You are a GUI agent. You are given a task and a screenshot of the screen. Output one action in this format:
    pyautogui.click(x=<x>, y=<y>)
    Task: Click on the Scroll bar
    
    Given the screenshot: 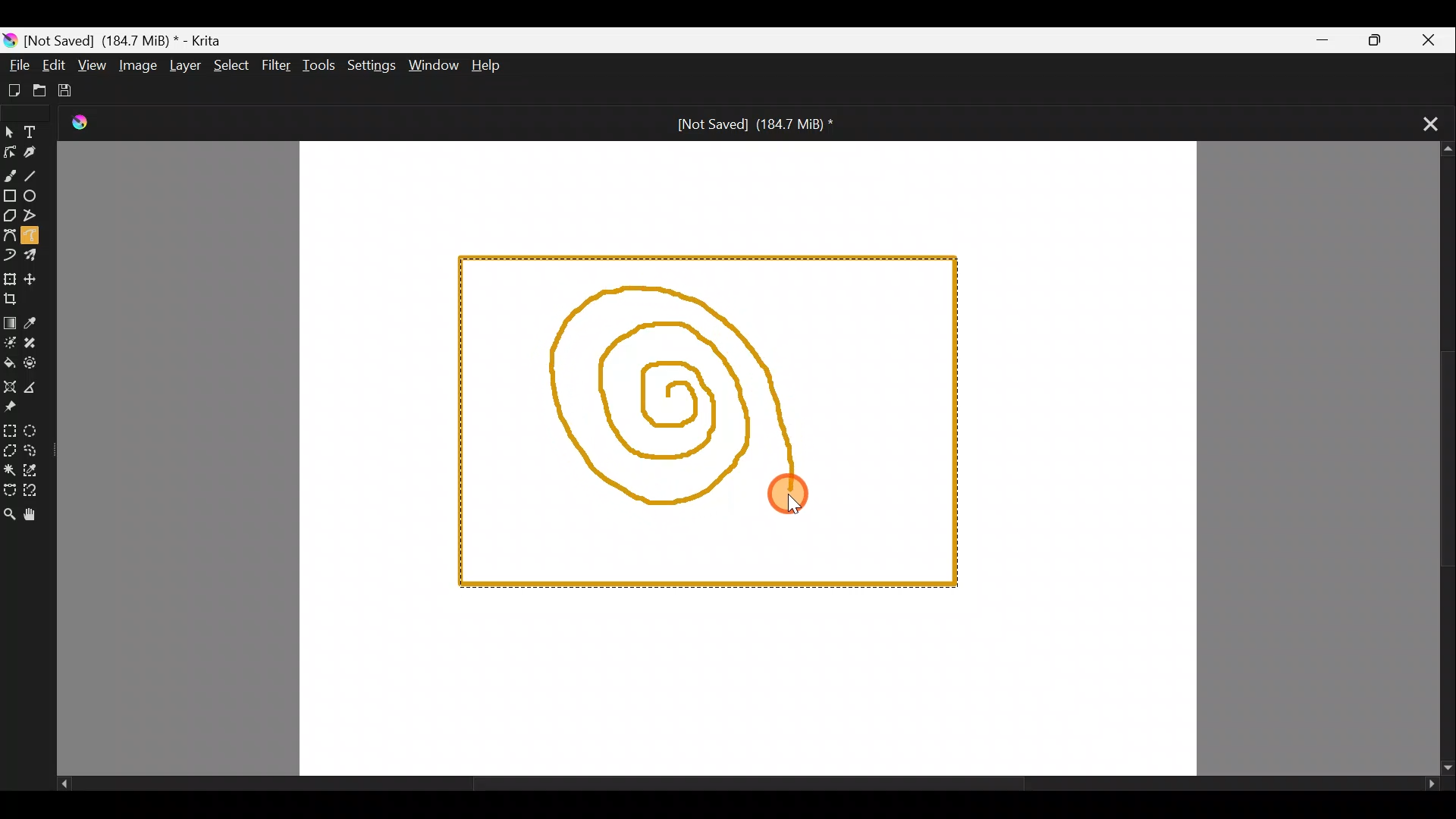 What is the action you would take?
    pyautogui.click(x=1434, y=460)
    